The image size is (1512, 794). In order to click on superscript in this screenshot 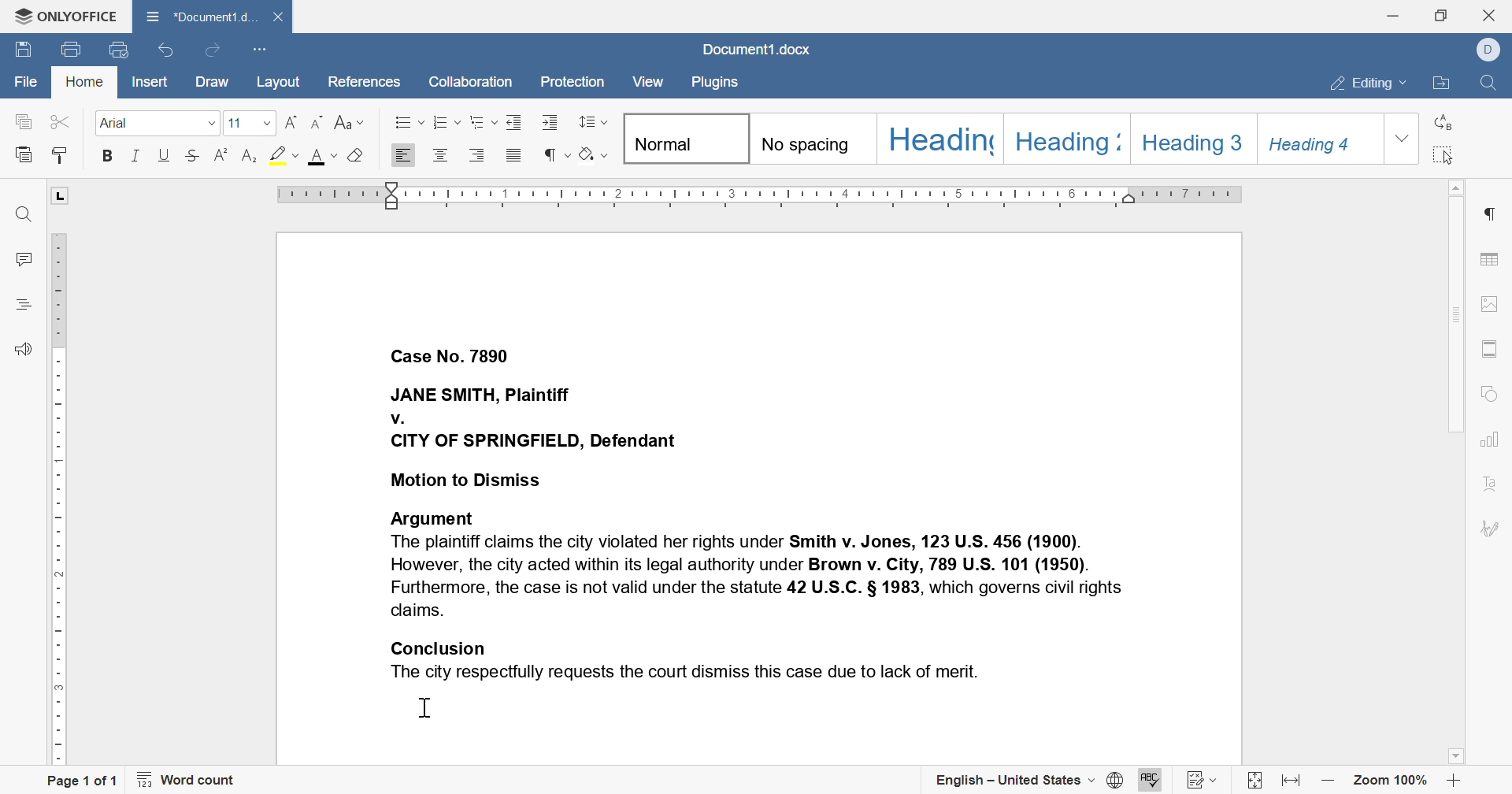, I will do `click(247, 155)`.